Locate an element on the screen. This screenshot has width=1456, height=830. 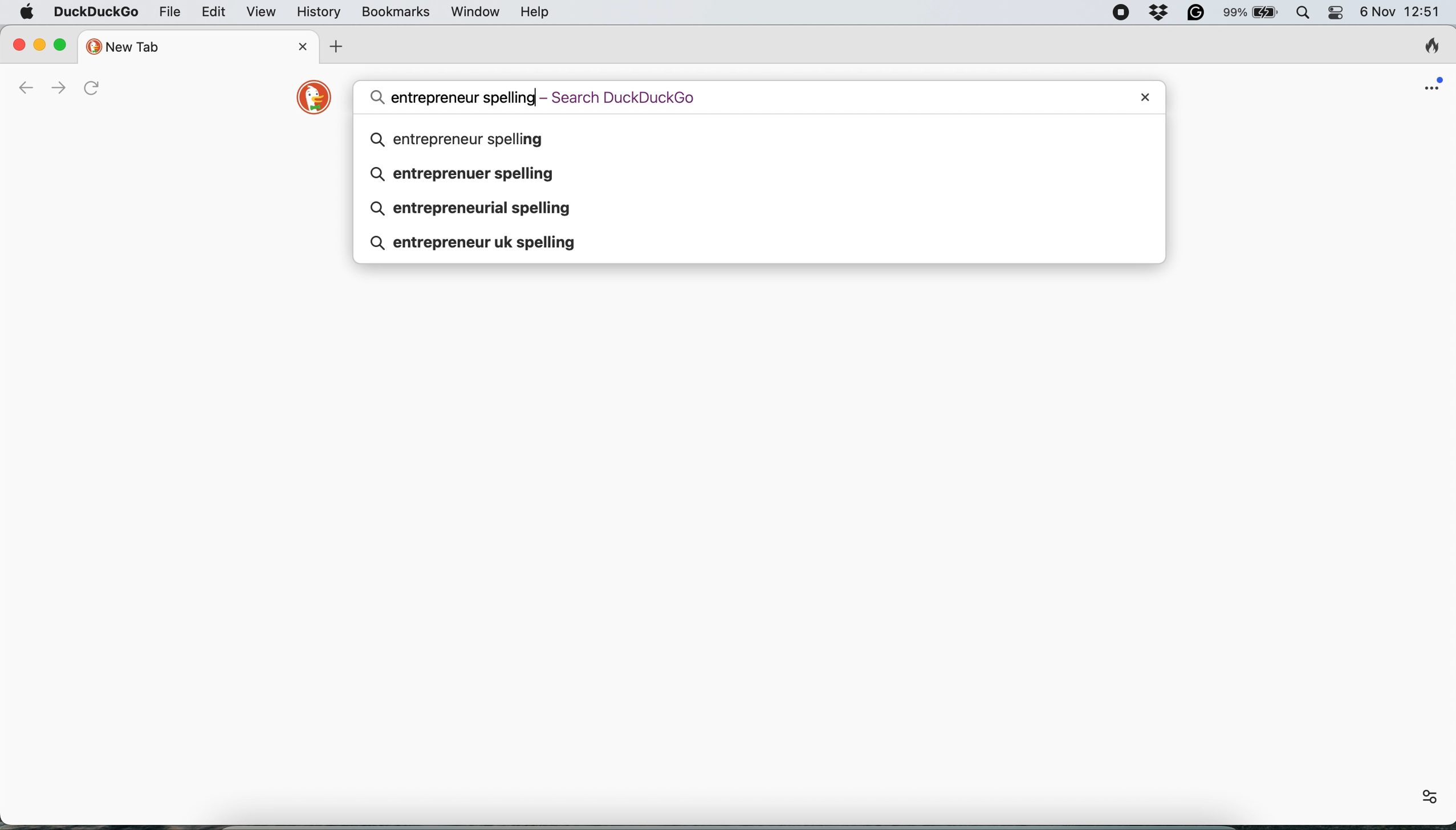
grammarly is located at coordinates (1194, 13).